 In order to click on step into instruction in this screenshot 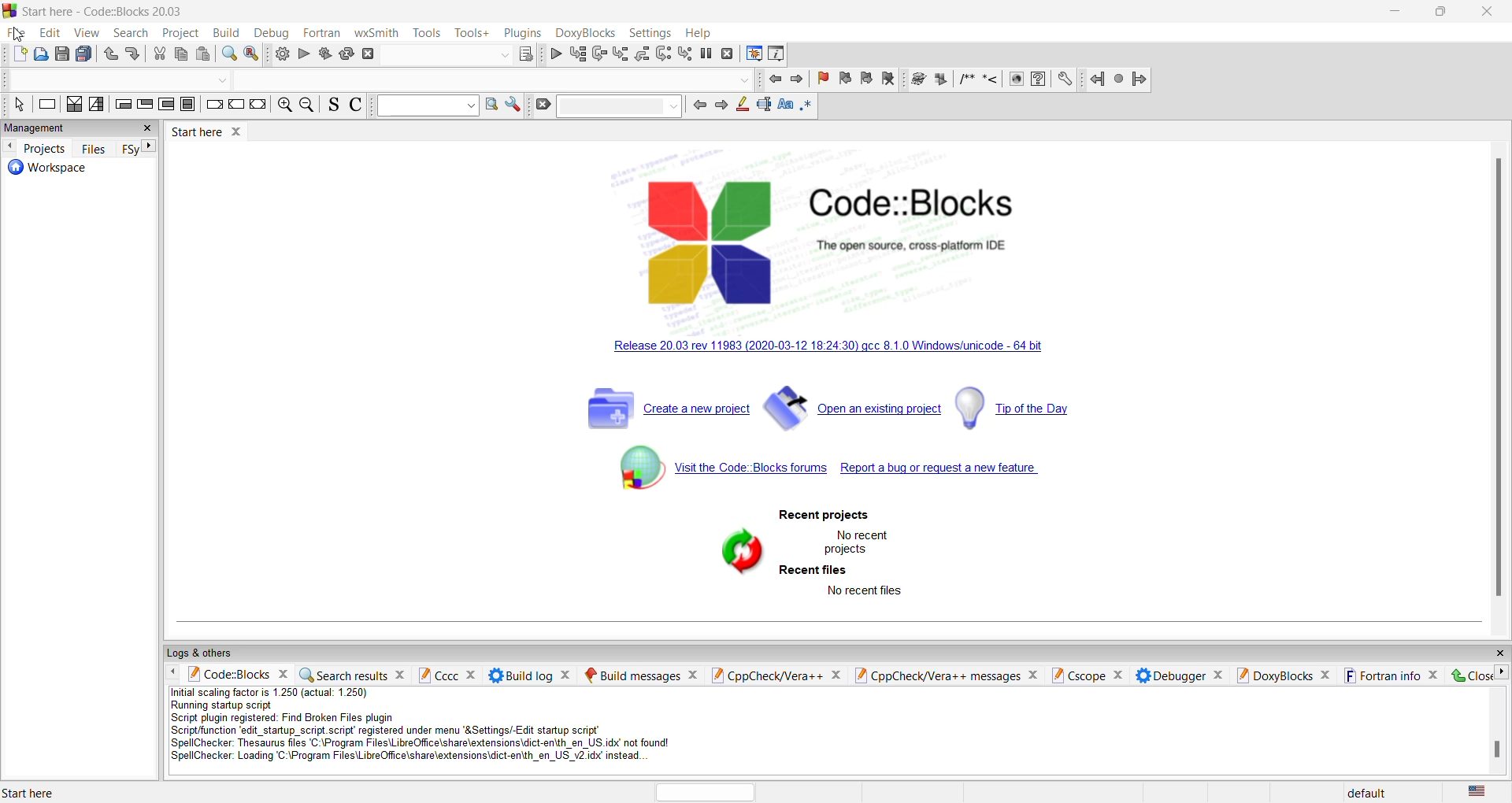, I will do `click(687, 54)`.